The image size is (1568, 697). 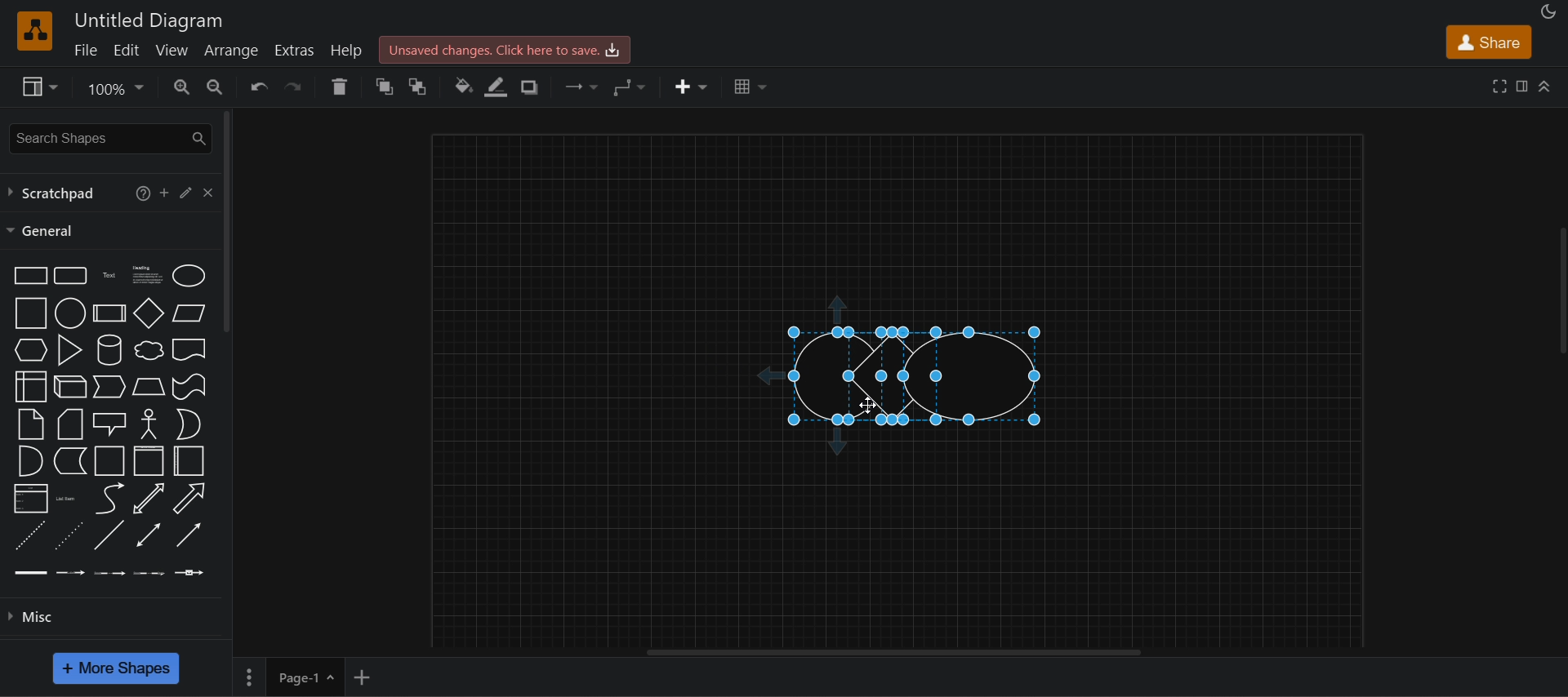 I want to click on title, so click(x=149, y=21).